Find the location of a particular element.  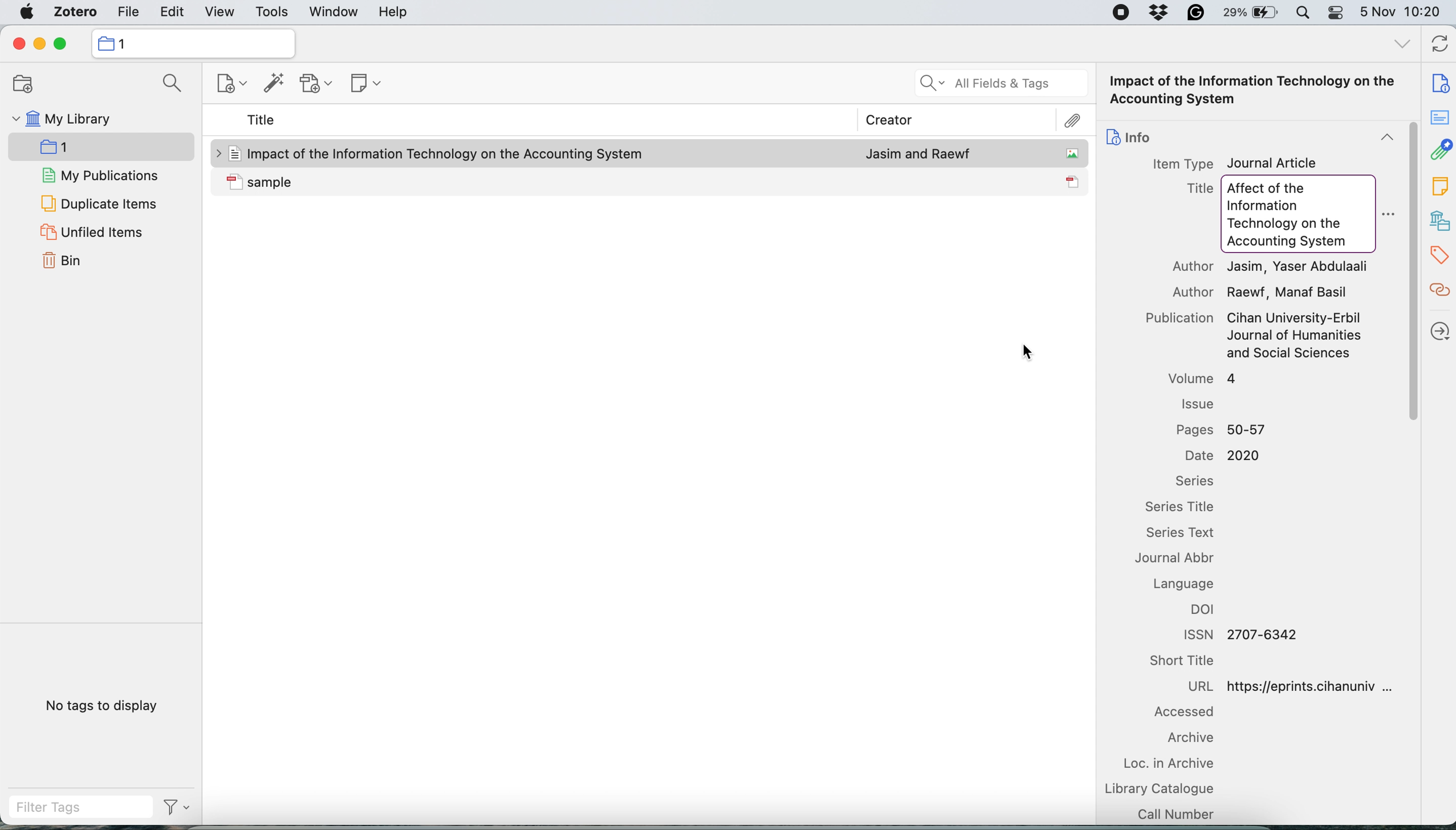

bin is located at coordinates (63, 262).